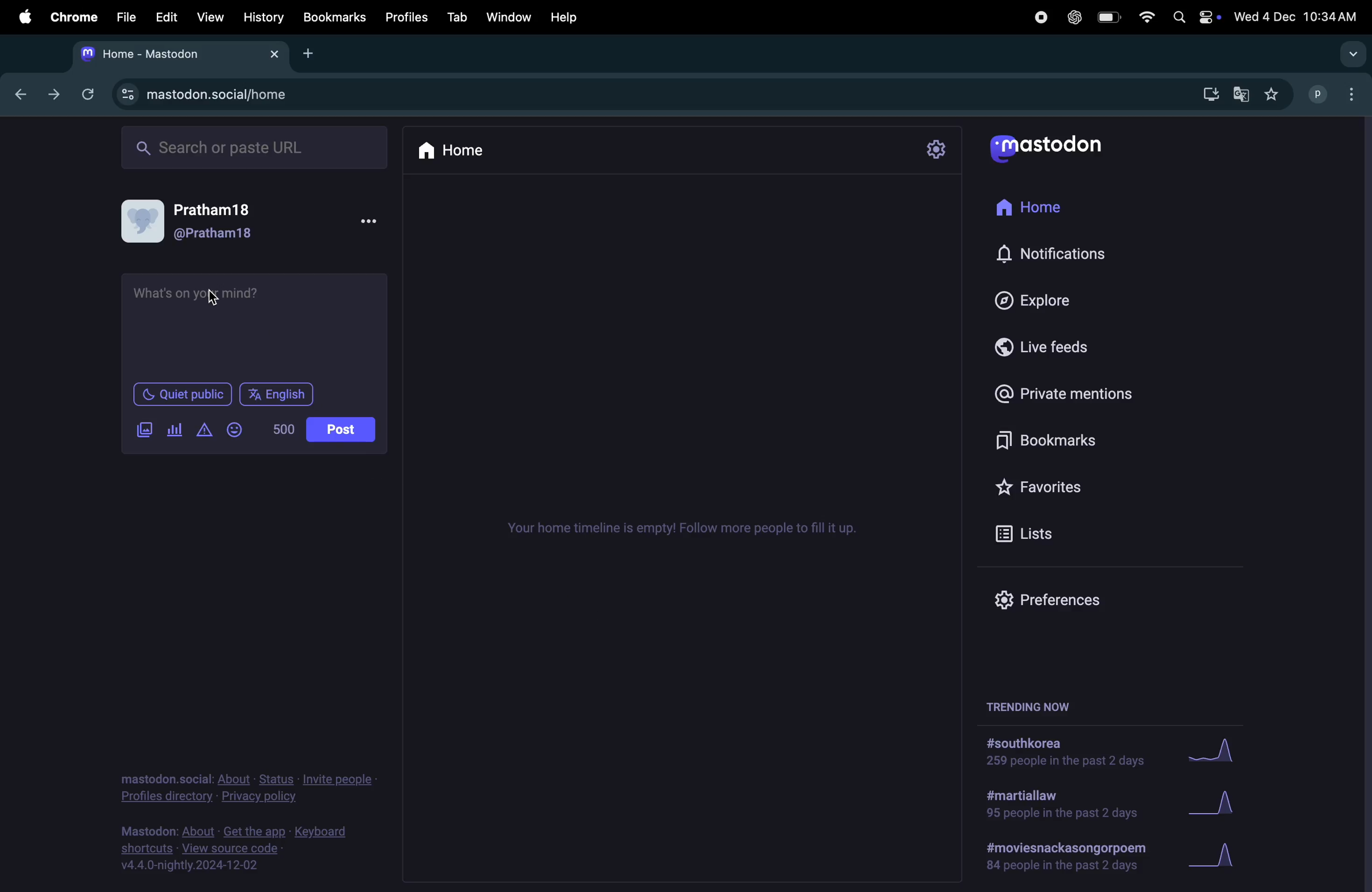 The image size is (1372, 892). I want to click on refresh, so click(88, 93).